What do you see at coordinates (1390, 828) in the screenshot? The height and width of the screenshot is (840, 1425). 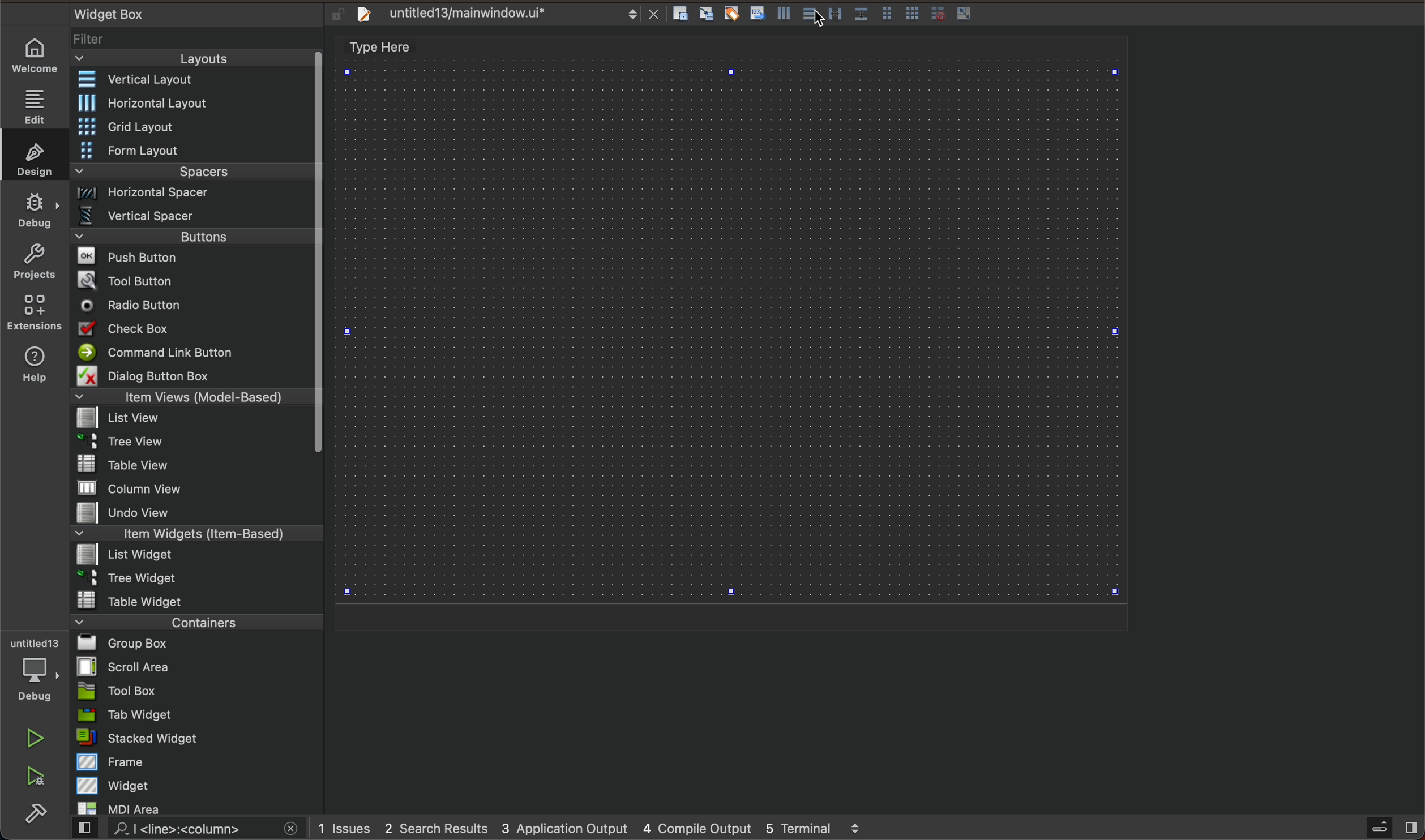 I see `close sidebar` at bounding box center [1390, 828].